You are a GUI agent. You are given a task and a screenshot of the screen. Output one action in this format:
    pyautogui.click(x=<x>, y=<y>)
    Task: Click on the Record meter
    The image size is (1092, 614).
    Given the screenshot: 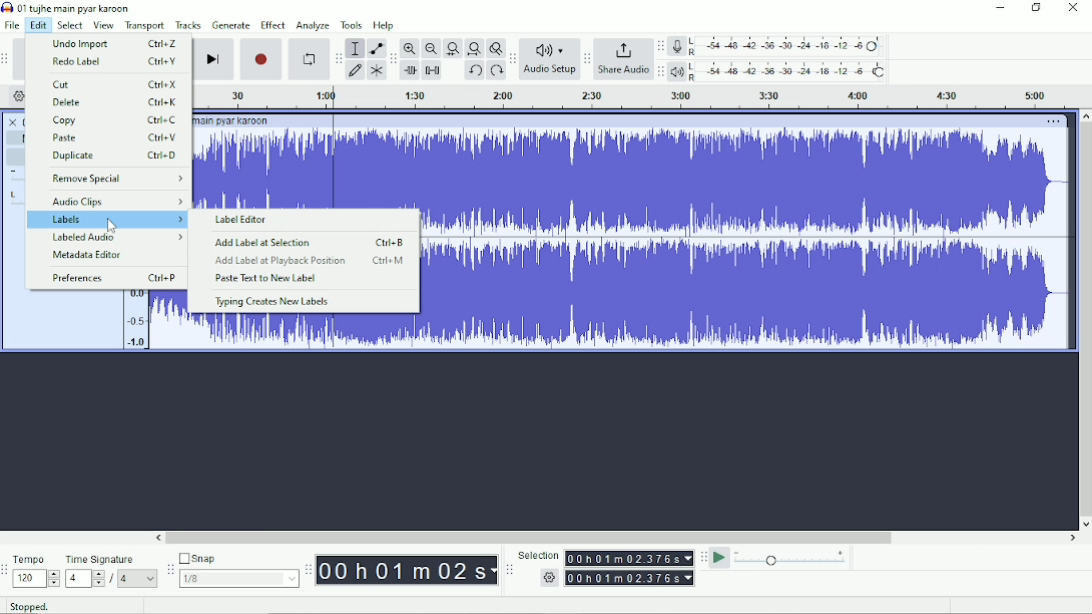 What is the action you would take?
    pyautogui.click(x=779, y=47)
    